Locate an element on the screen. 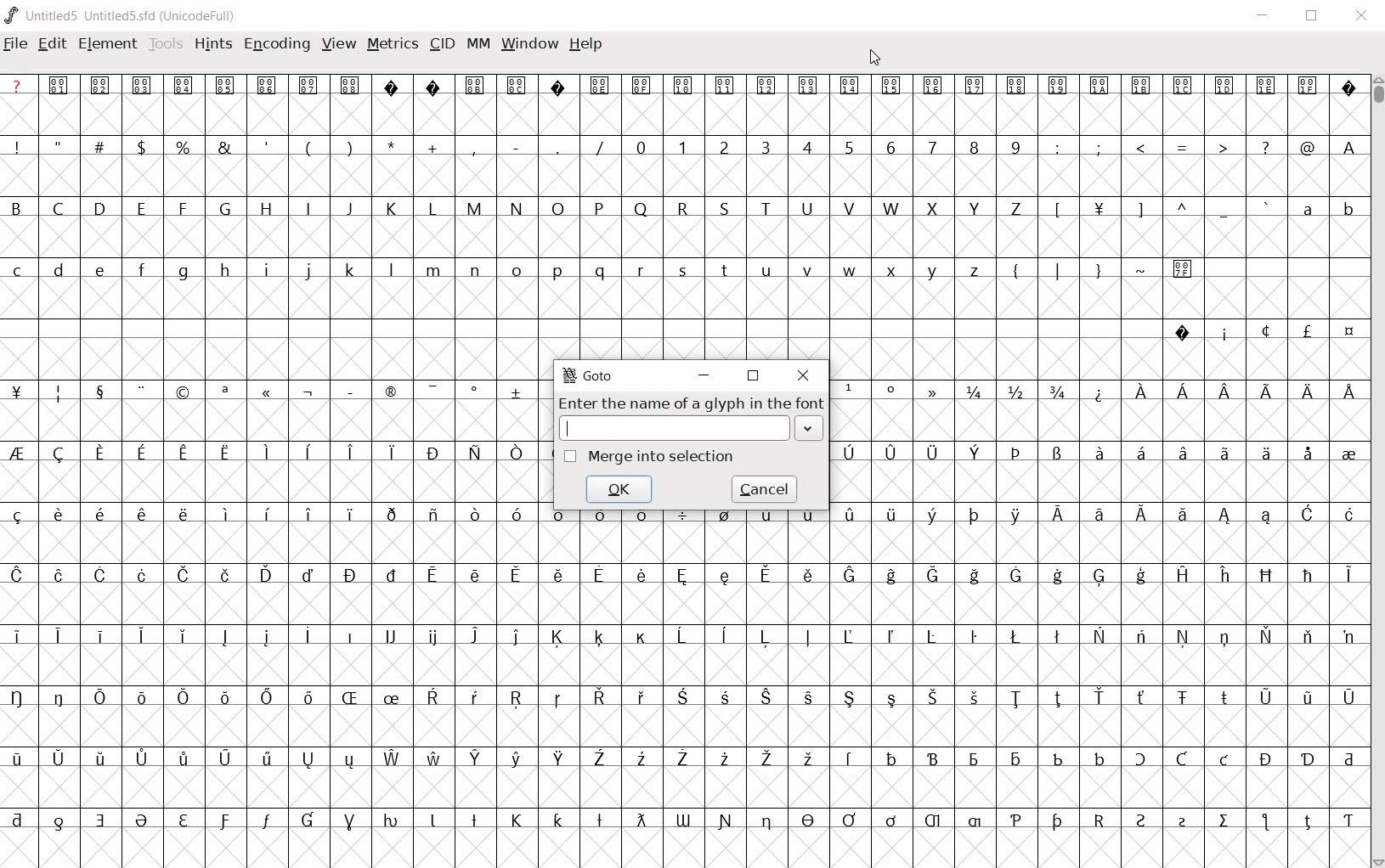   is located at coordinates (1225, 389).